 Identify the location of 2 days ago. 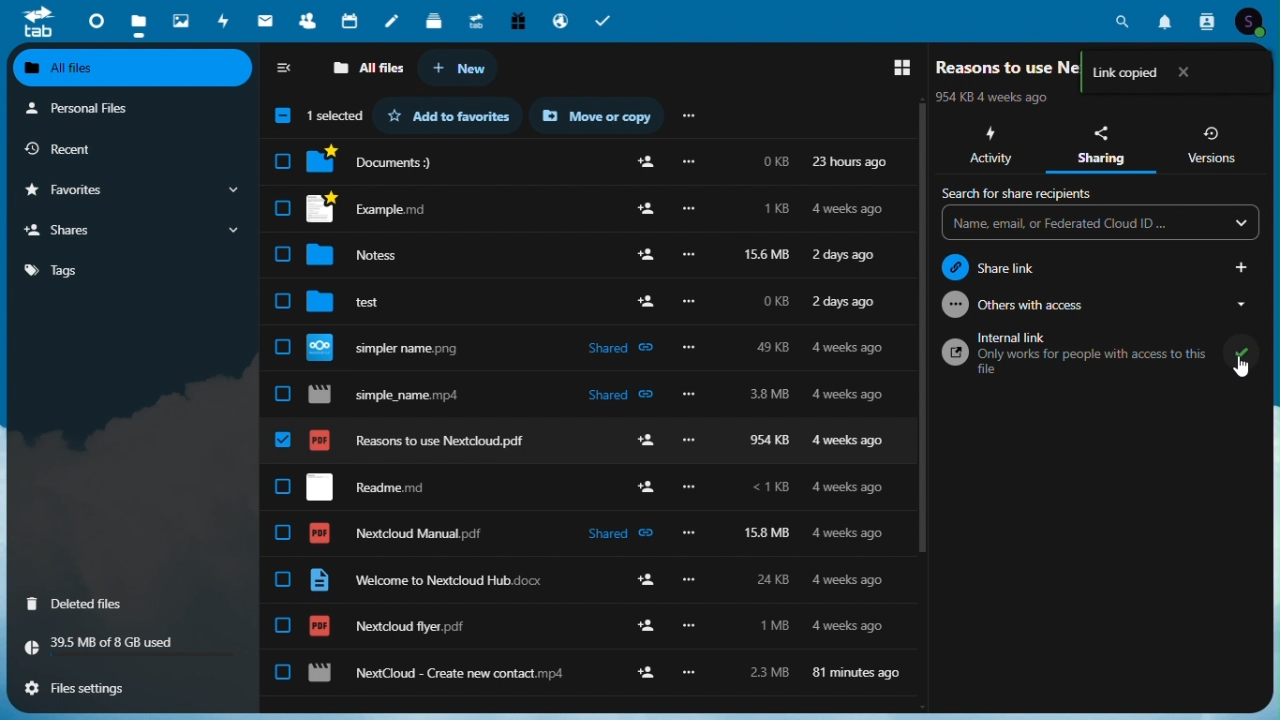
(848, 255).